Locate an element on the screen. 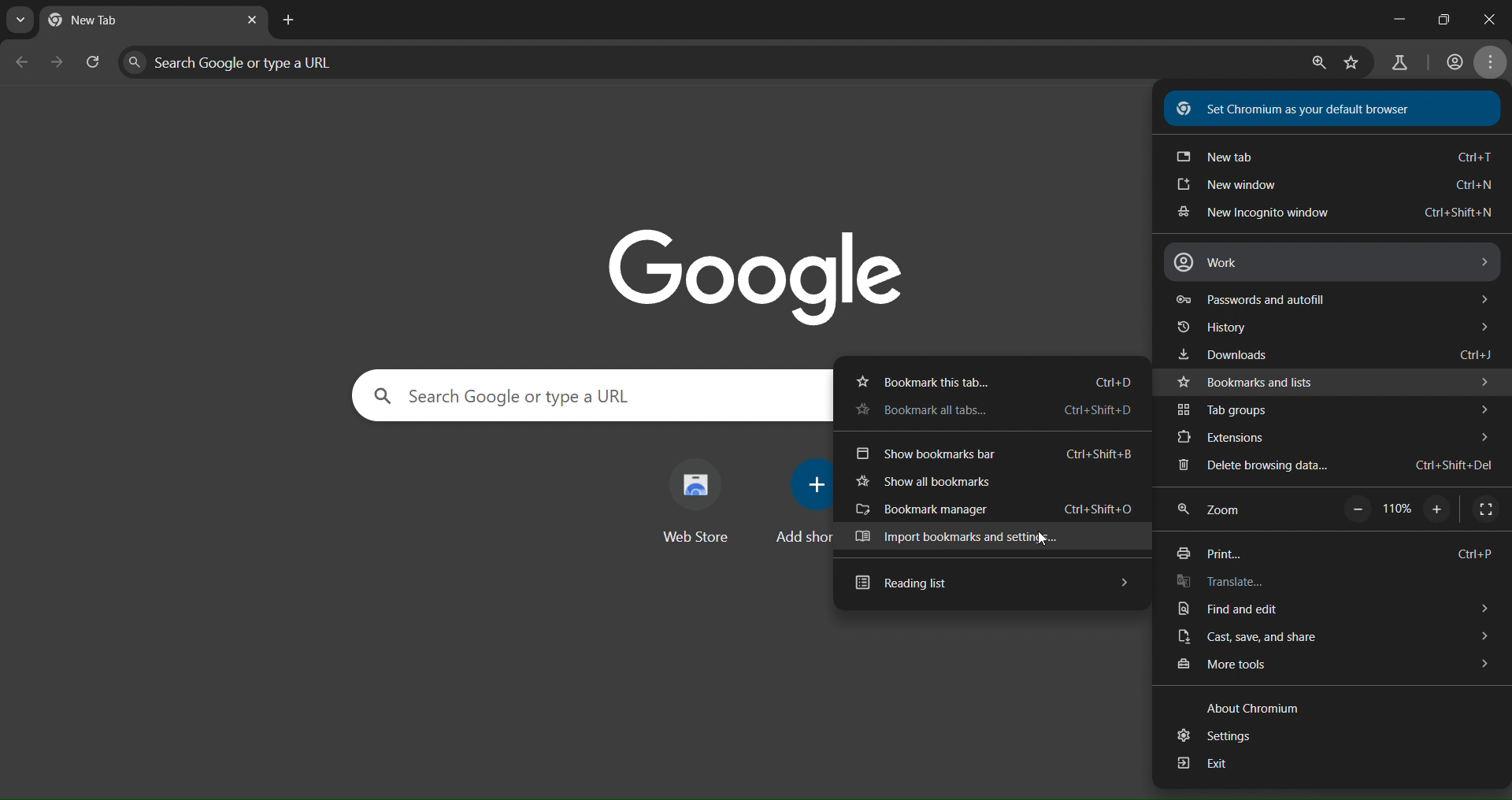 The image size is (1512, 800). more tools is located at coordinates (1334, 667).